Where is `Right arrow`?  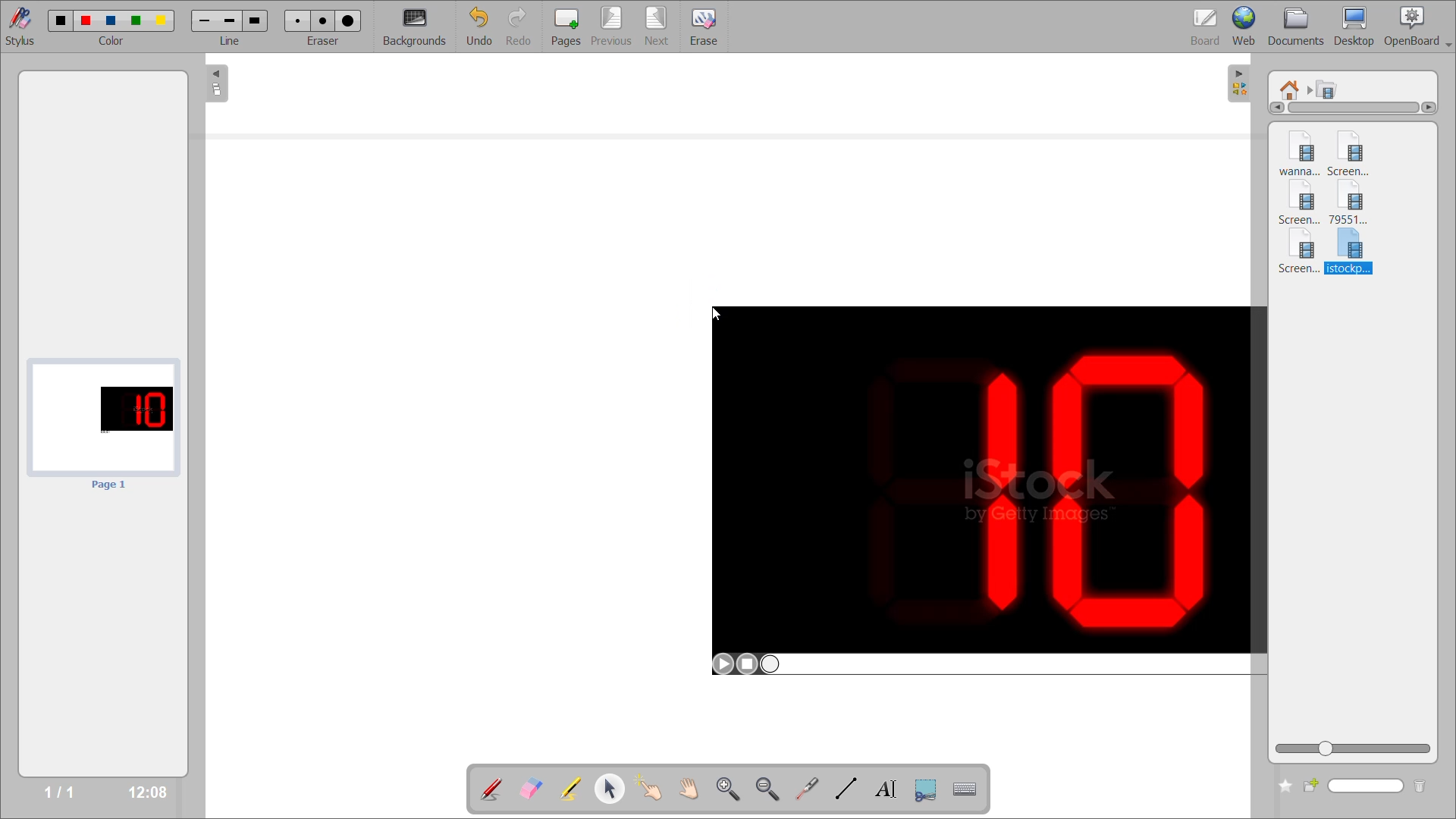 Right arrow is located at coordinates (1431, 108).